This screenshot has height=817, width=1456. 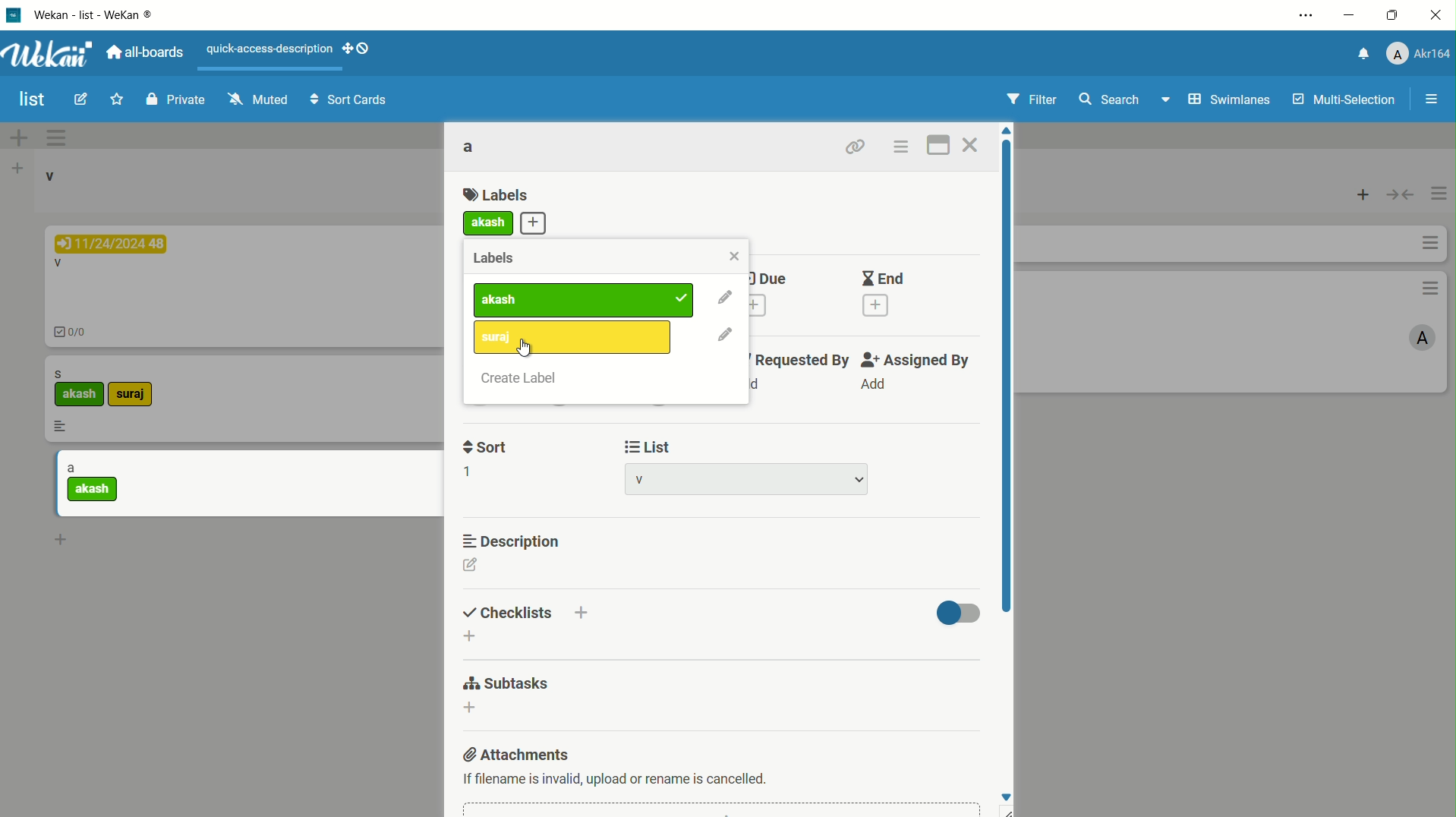 What do you see at coordinates (1419, 54) in the screenshot?
I see `profile` at bounding box center [1419, 54].